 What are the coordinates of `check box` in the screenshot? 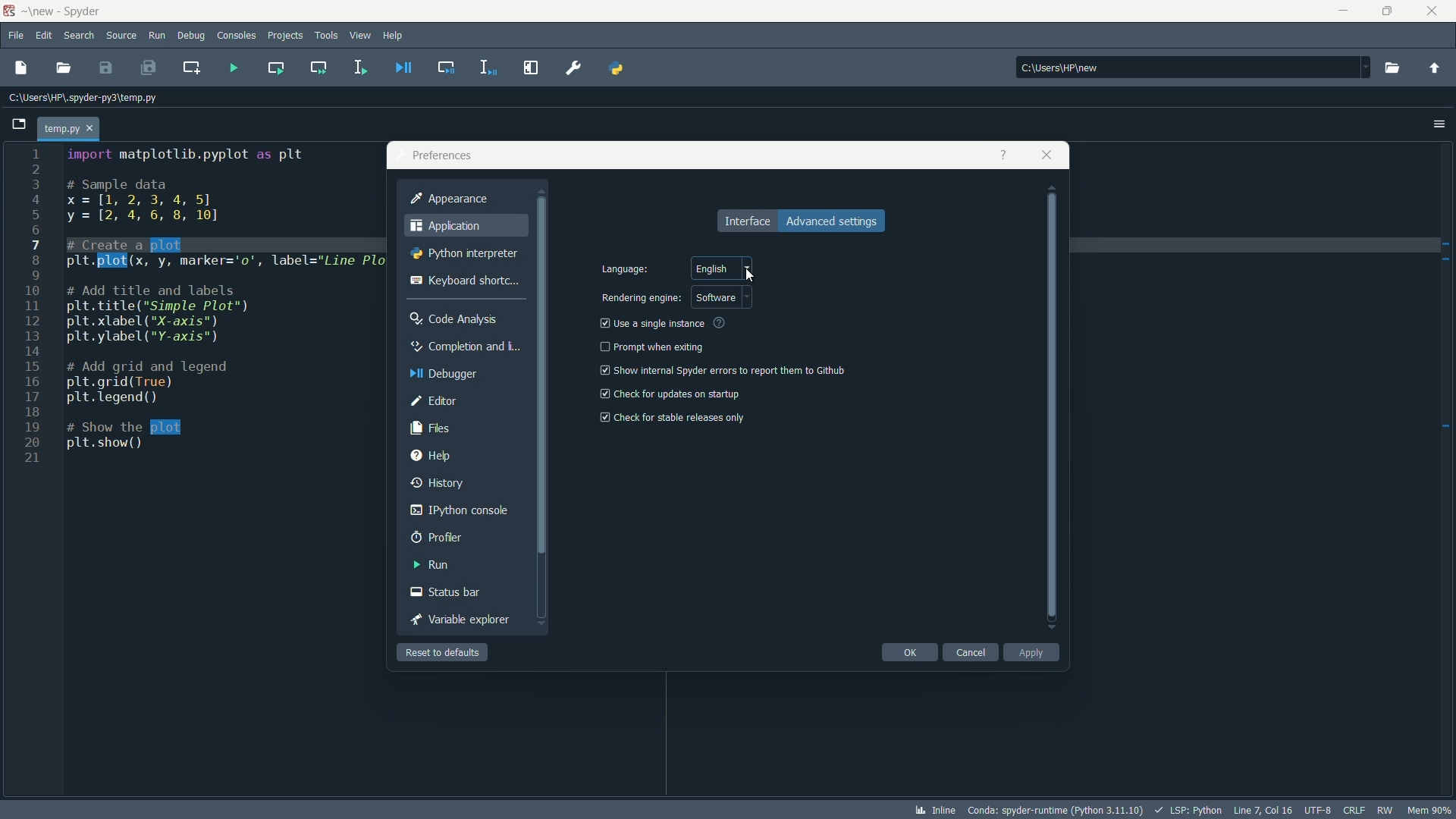 It's located at (603, 347).